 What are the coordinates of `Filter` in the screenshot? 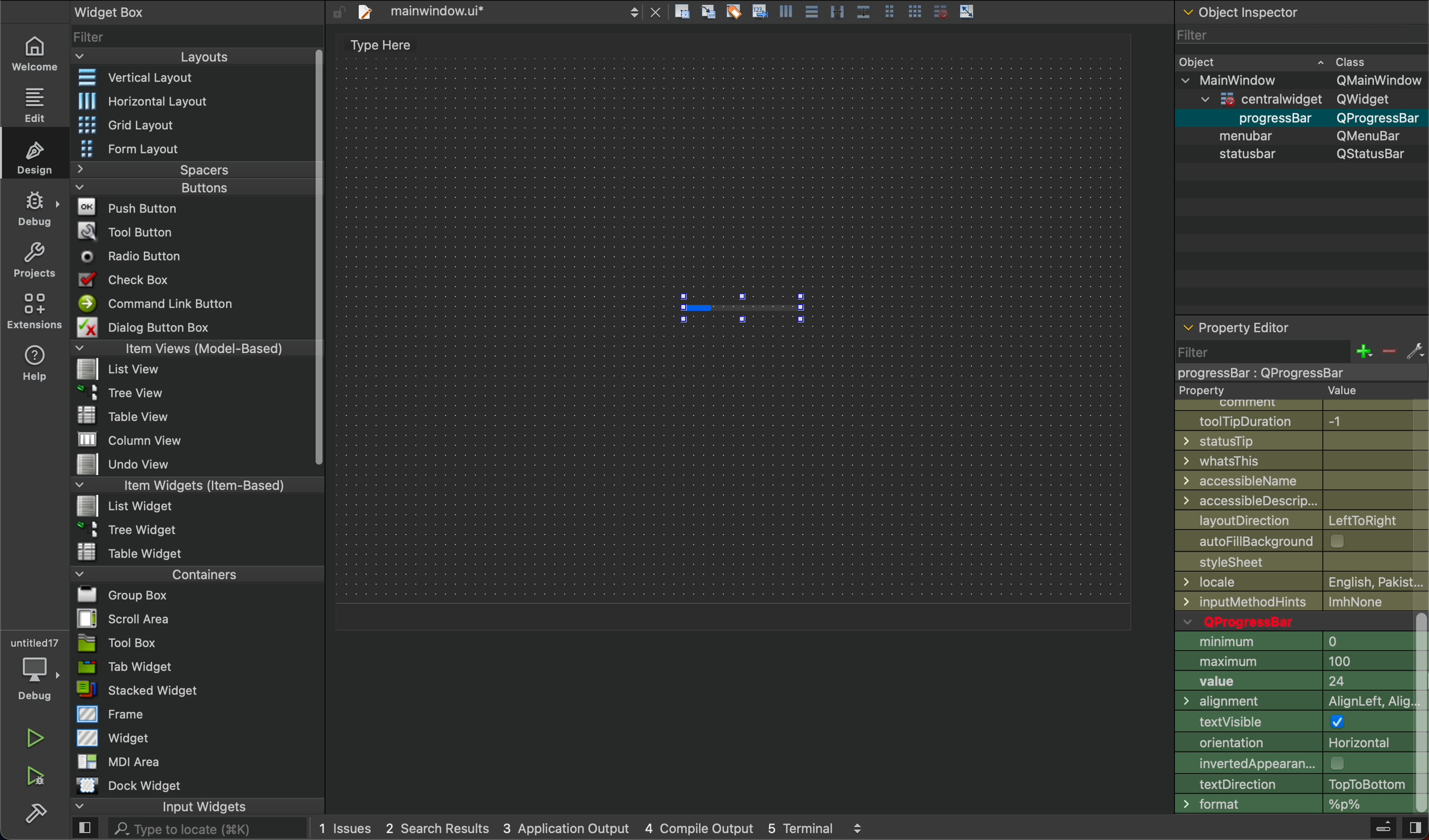 It's located at (1299, 34).